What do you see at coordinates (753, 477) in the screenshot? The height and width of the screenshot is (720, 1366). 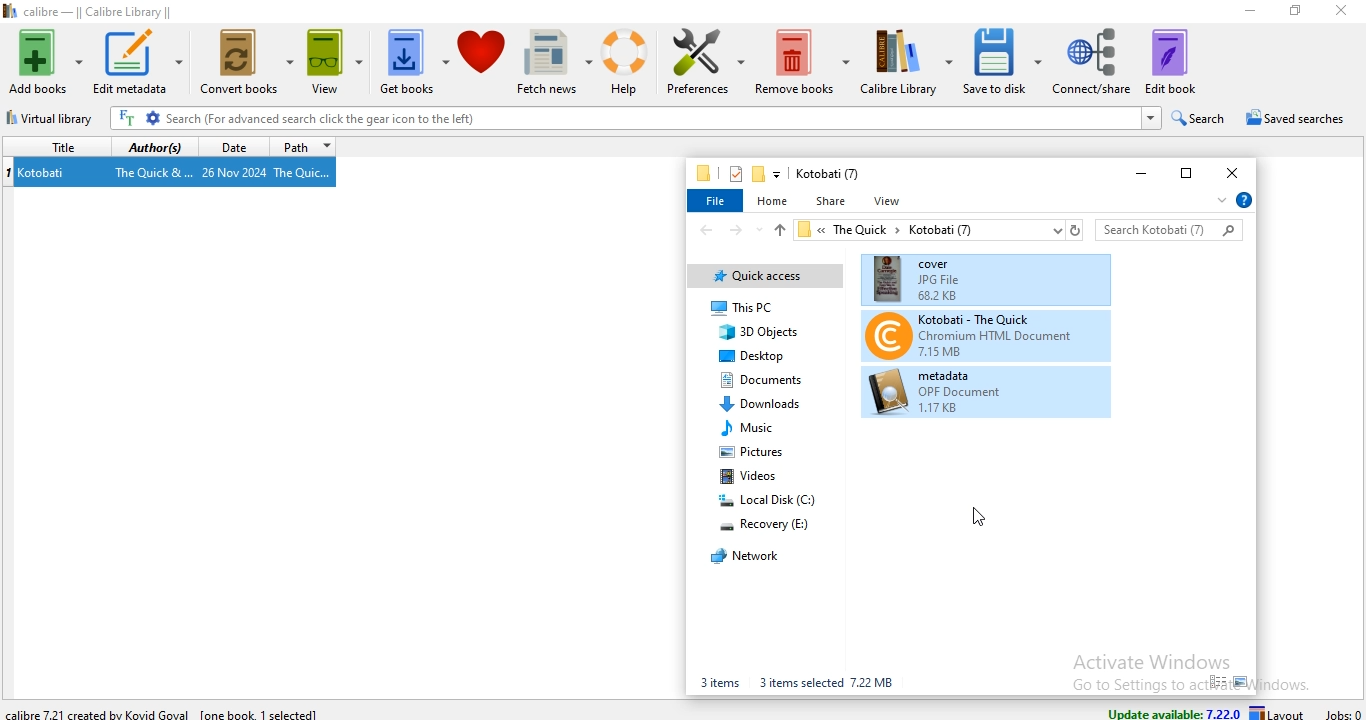 I see `videos` at bounding box center [753, 477].